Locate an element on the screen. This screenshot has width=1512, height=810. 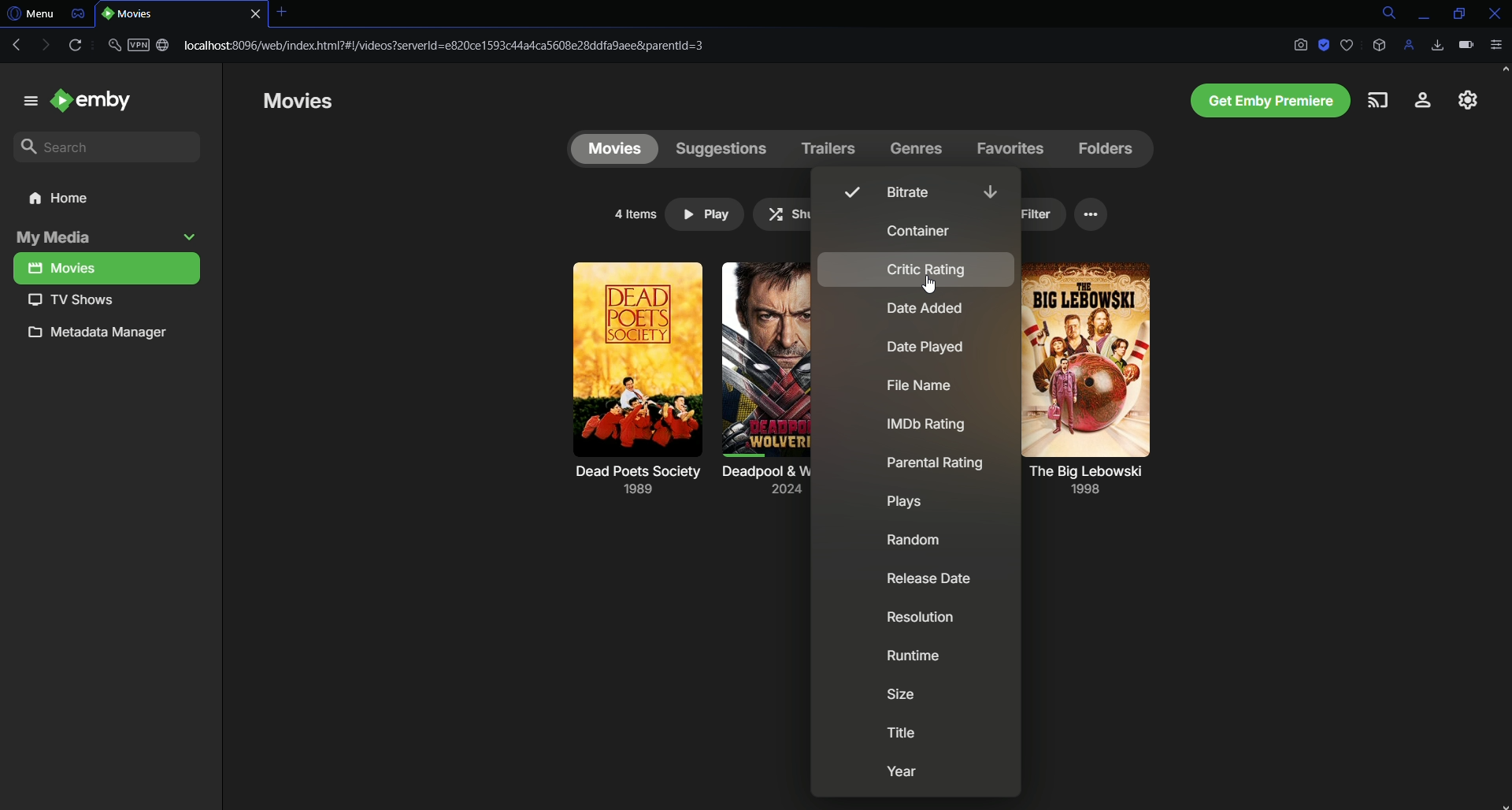
Link is located at coordinates (450, 44).